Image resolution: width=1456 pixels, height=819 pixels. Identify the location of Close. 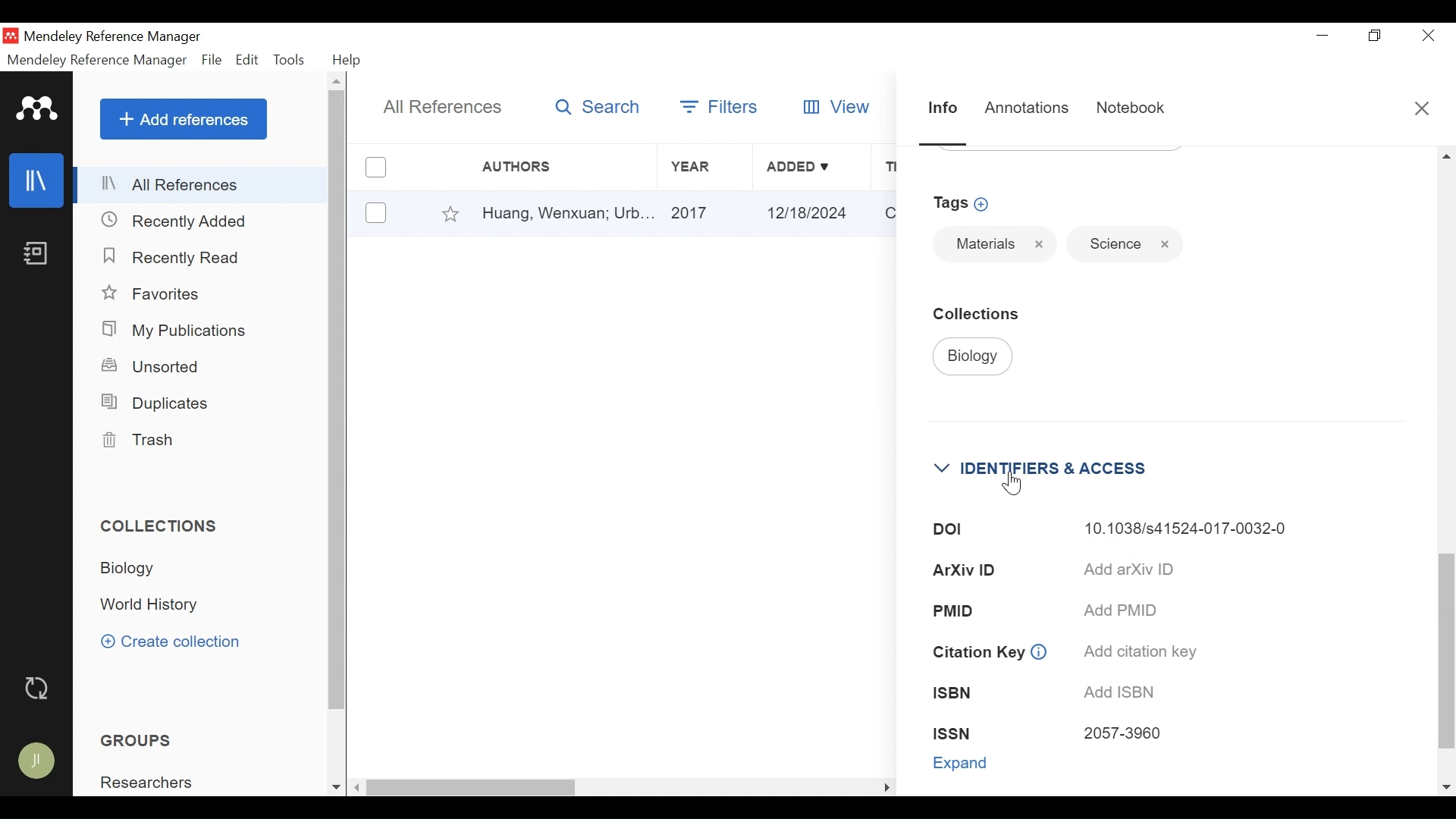
(1040, 244).